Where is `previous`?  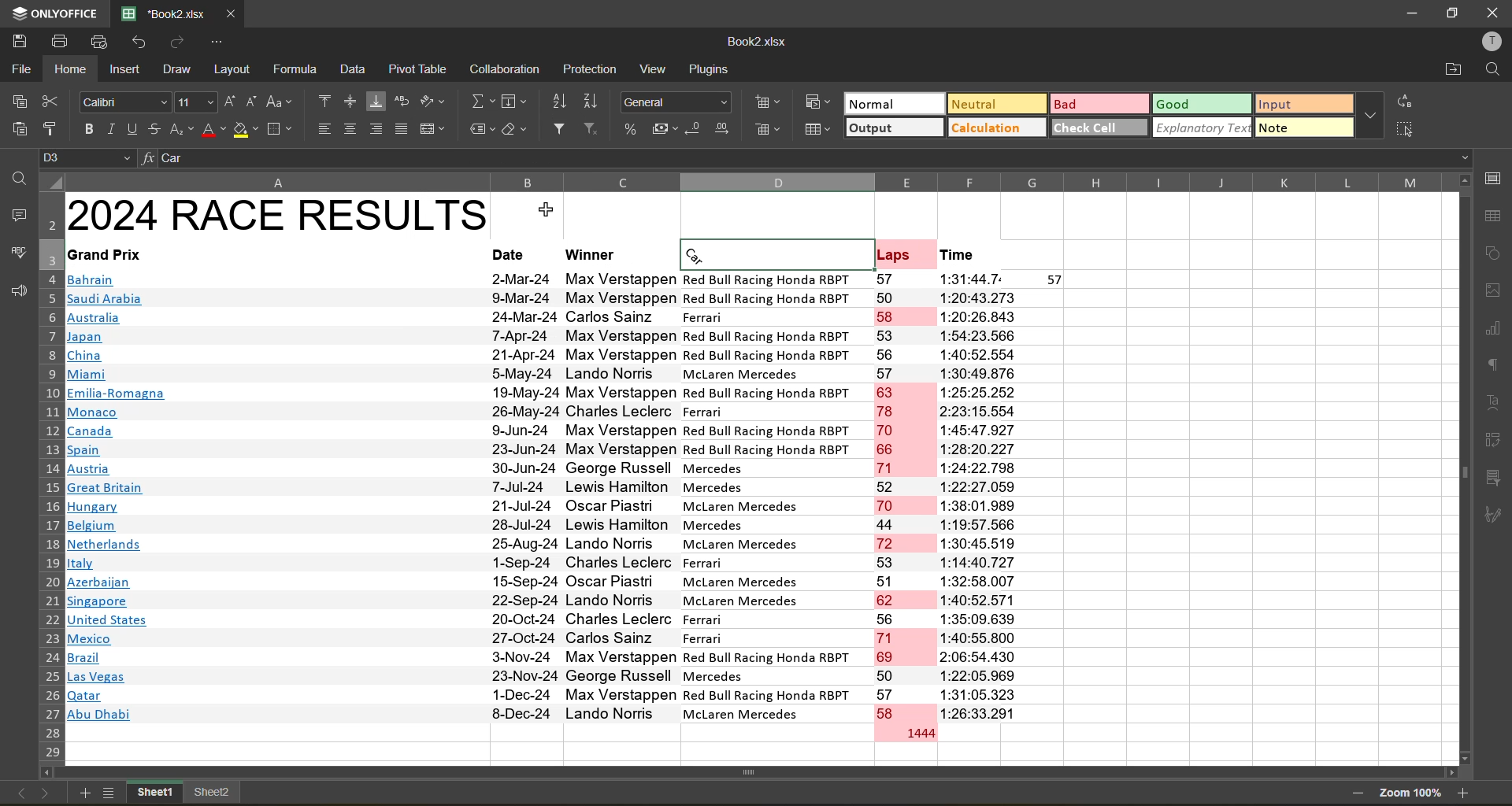 previous is located at coordinates (18, 792).